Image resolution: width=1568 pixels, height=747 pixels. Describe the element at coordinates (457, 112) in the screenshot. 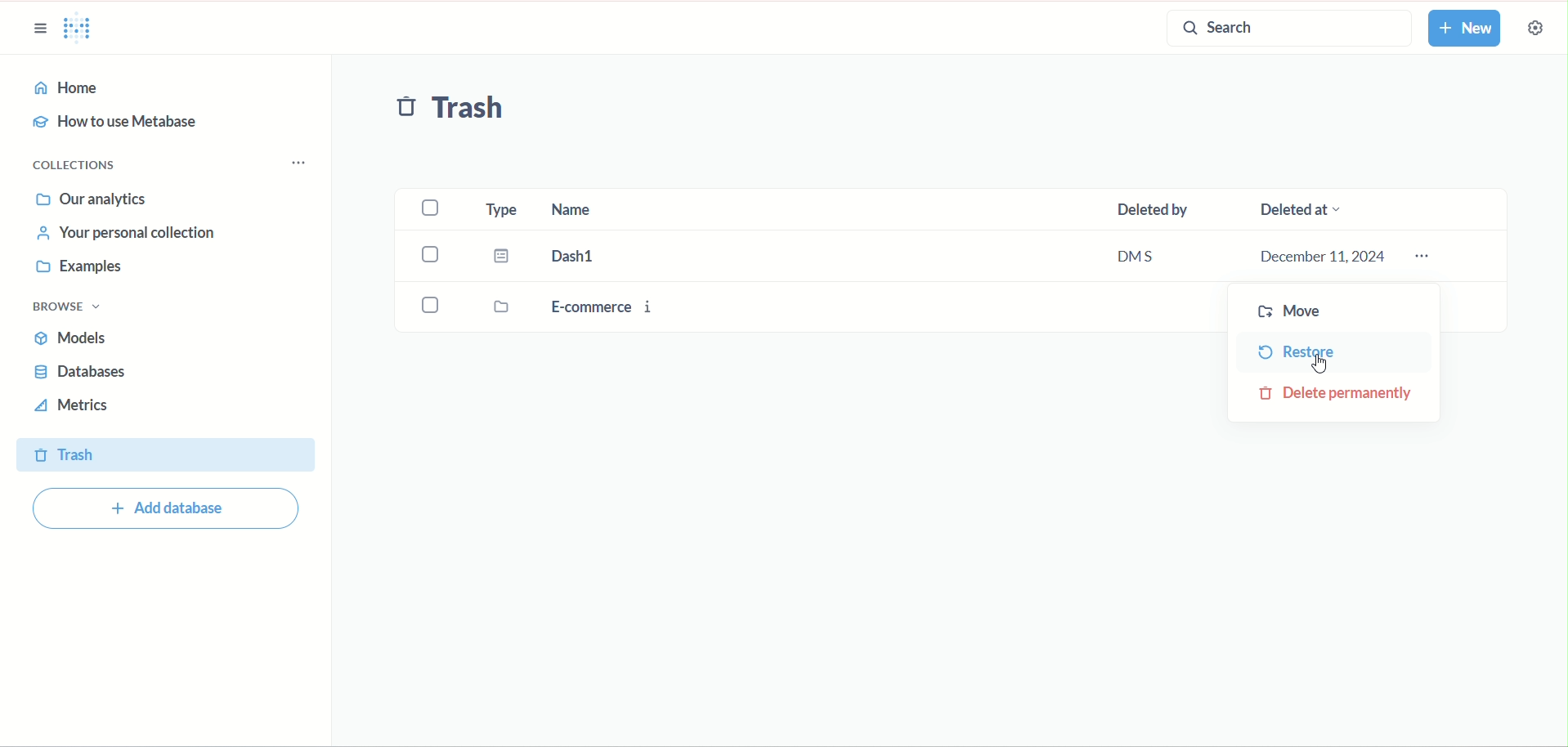

I see `trash` at that location.